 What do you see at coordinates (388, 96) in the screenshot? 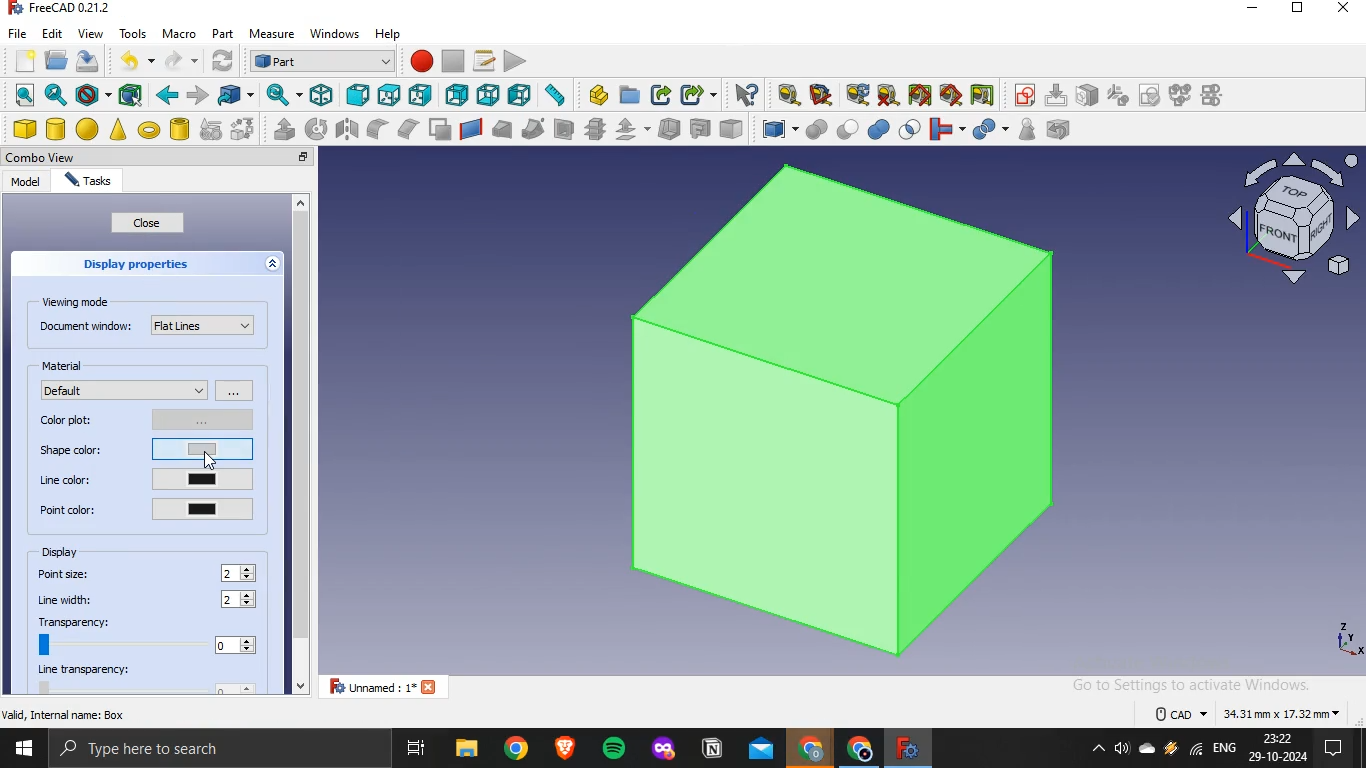
I see `top` at bounding box center [388, 96].